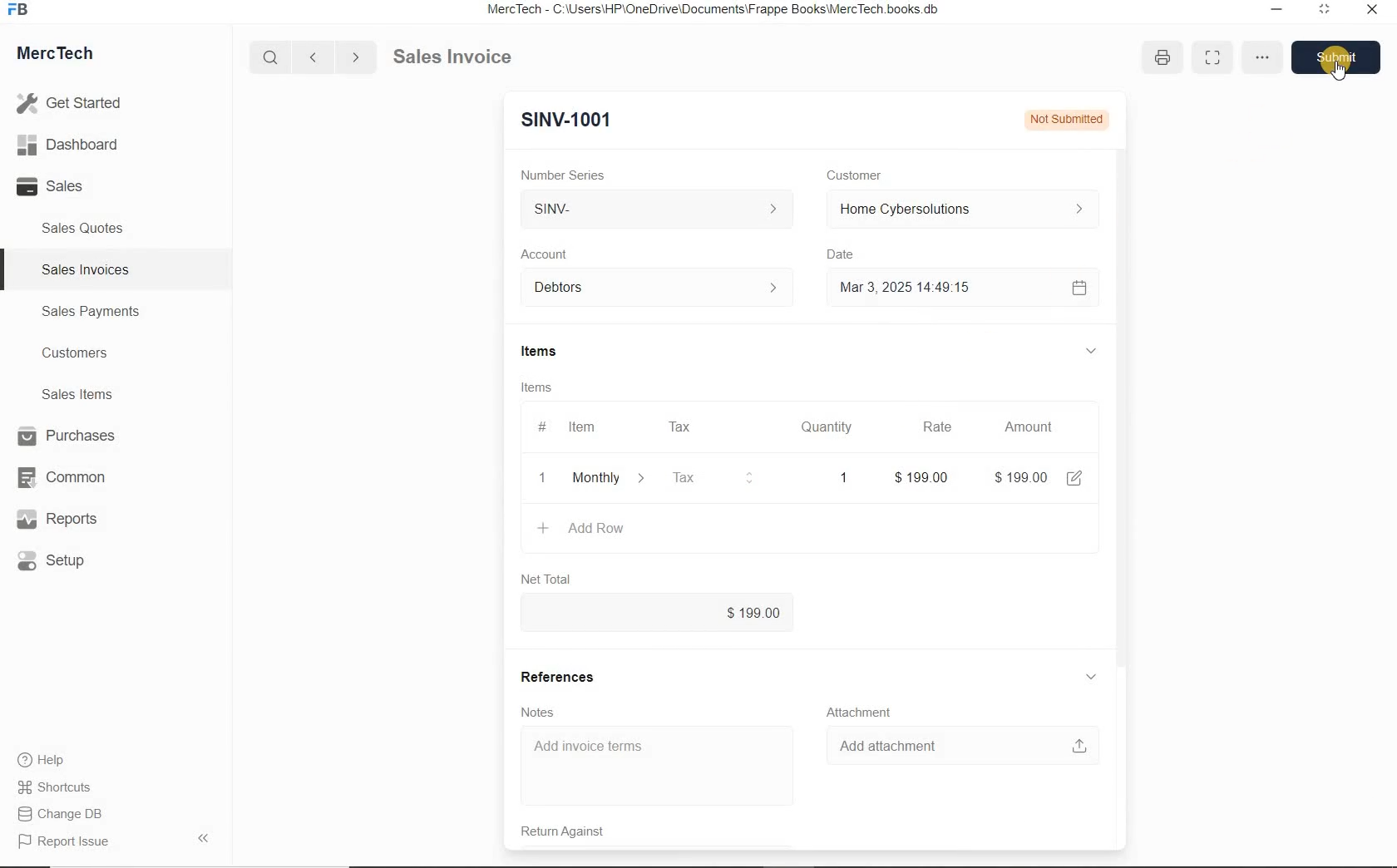 This screenshot has height=868, width=1397. What do you see at coordinates (1370, 12) in the screenshot?
I see `Close` at bounding box center [1370, 12].